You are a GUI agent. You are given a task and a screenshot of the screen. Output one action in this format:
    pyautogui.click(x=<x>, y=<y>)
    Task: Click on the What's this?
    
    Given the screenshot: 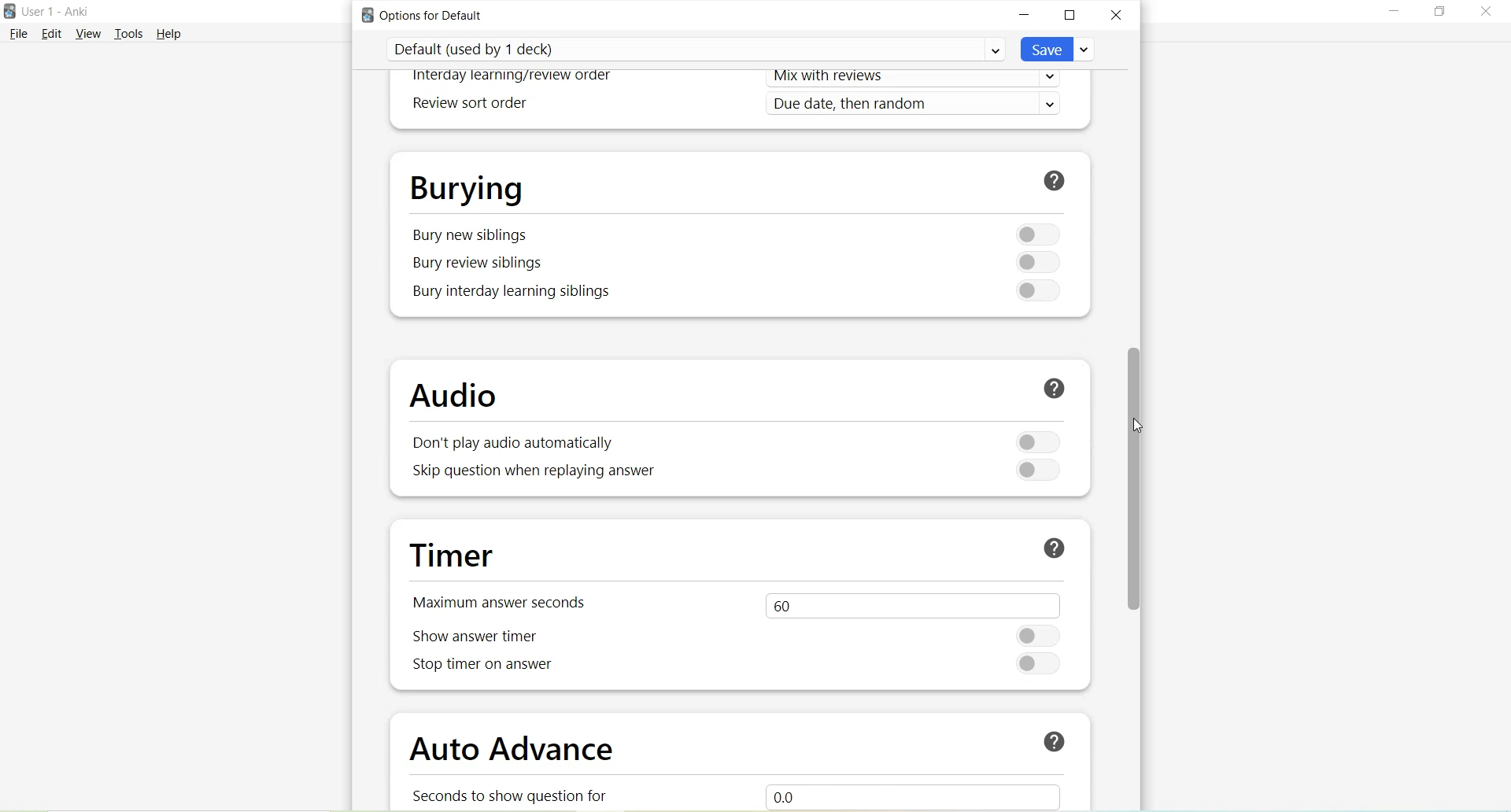 What is the action you would take?
    pyautogui.click(x=1057, y=179)
    